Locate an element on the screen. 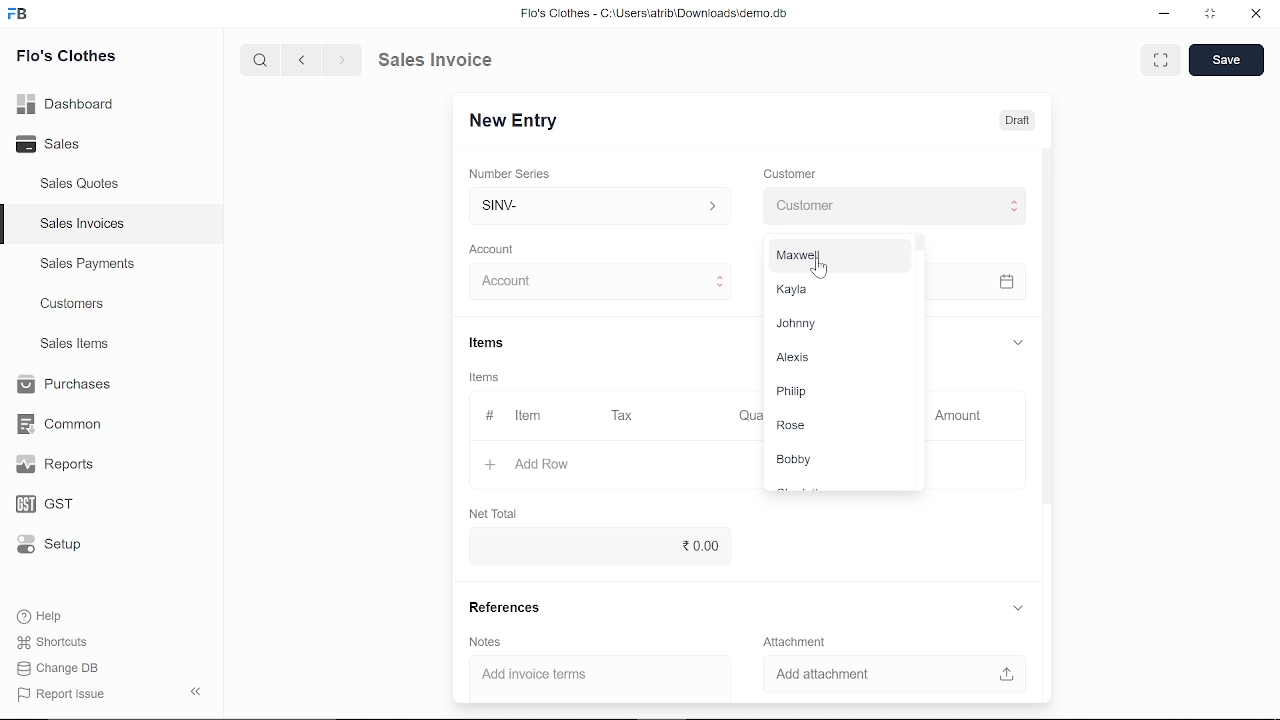 The height and width of the screenshot is (720, 1280). Add Row is located at coordinates (529, 465).